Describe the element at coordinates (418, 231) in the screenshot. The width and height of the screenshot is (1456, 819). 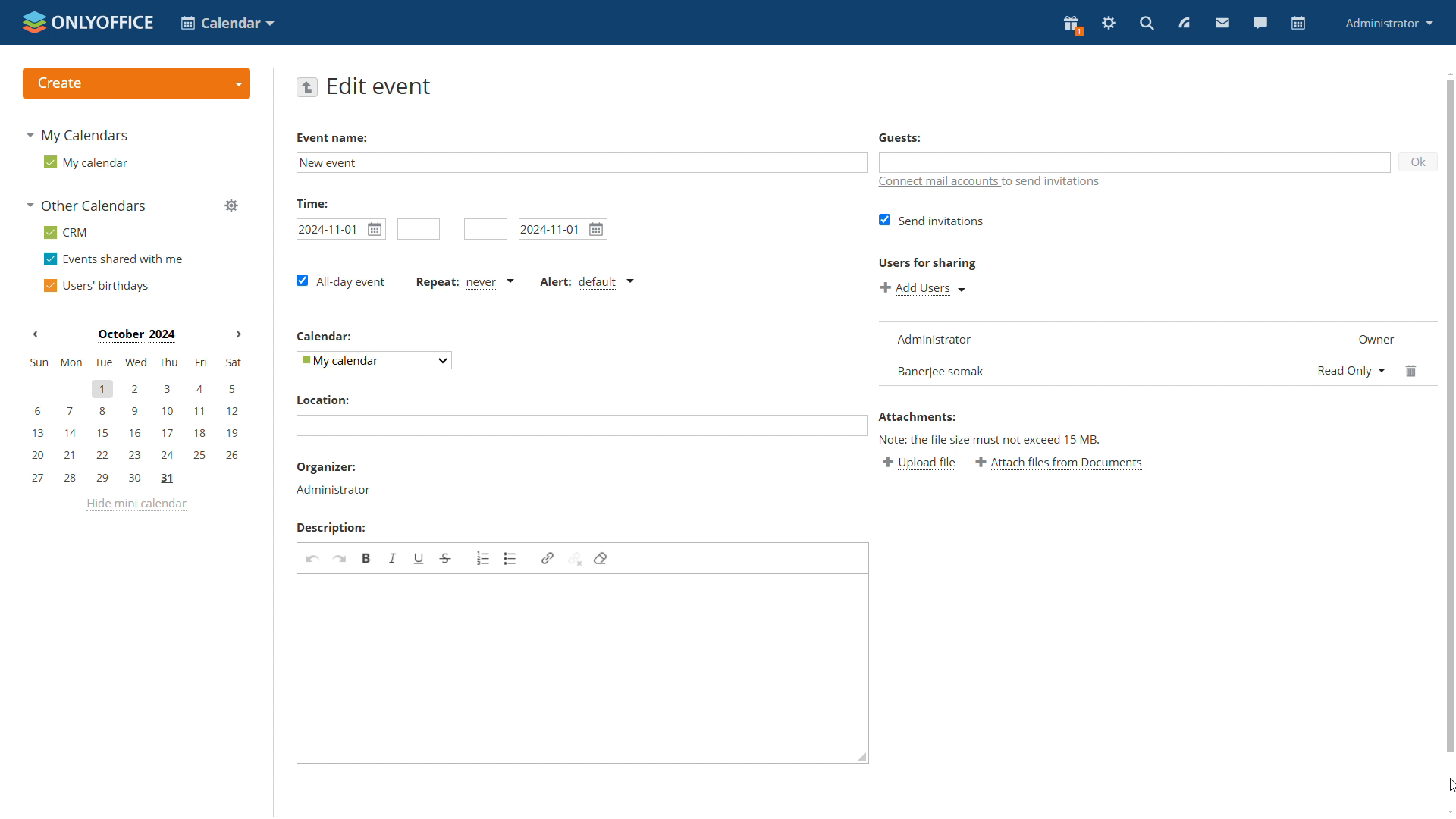
I see `start time` at that location.